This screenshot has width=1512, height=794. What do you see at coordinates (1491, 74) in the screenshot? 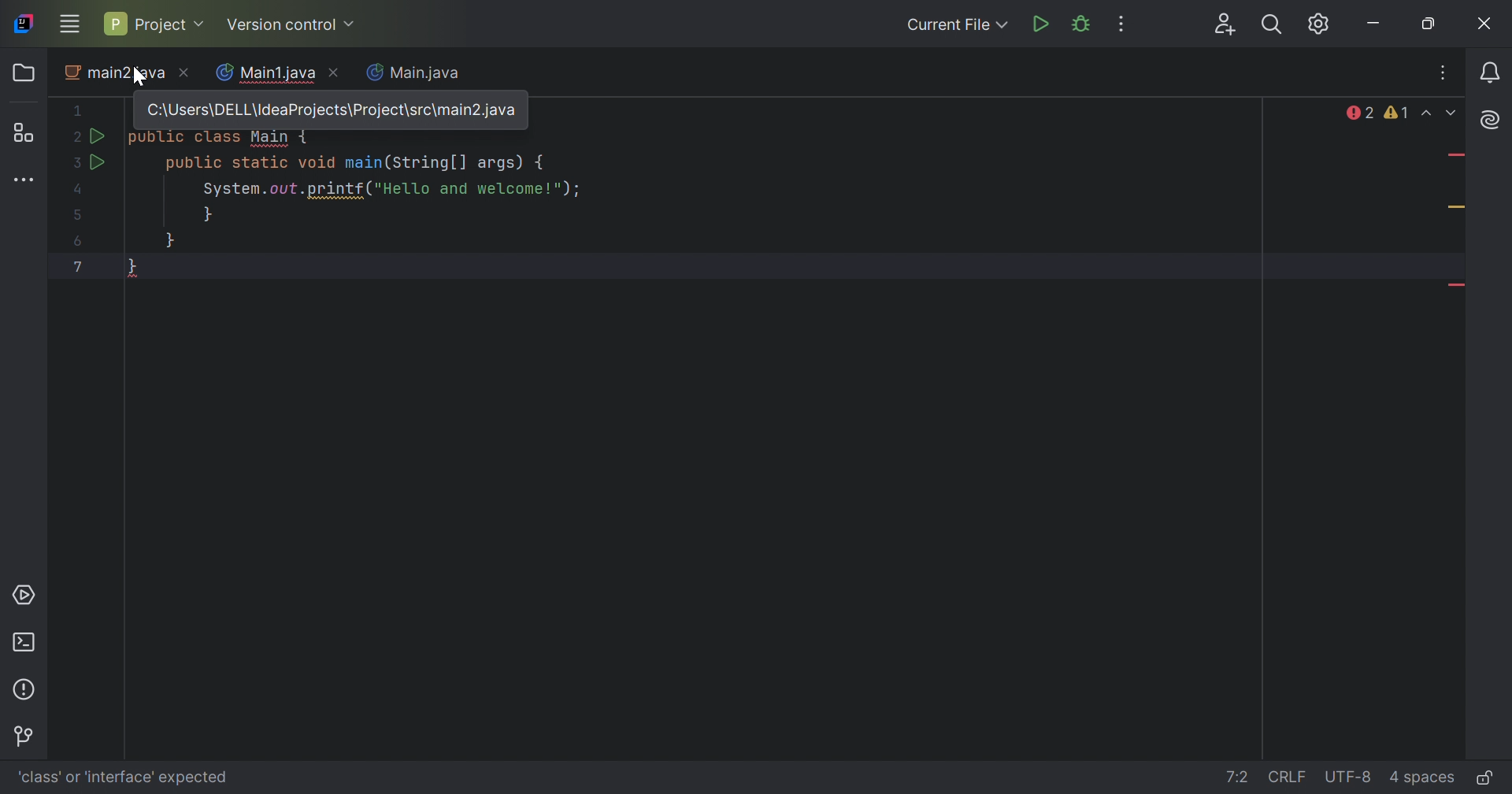
I see `Notifications` at bounding box center [1491, 74].